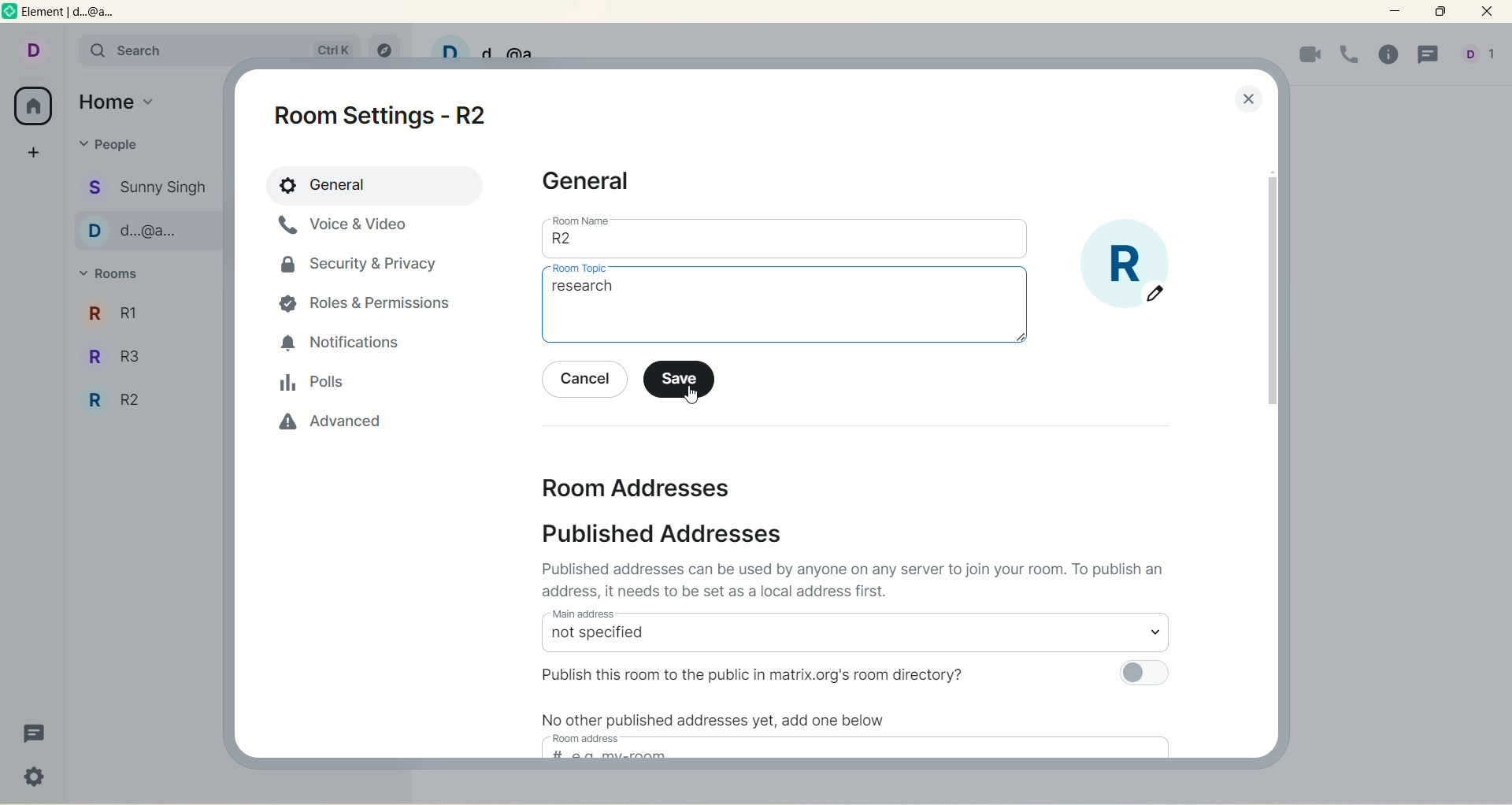  I want to click on room topic, so click(580, 269).